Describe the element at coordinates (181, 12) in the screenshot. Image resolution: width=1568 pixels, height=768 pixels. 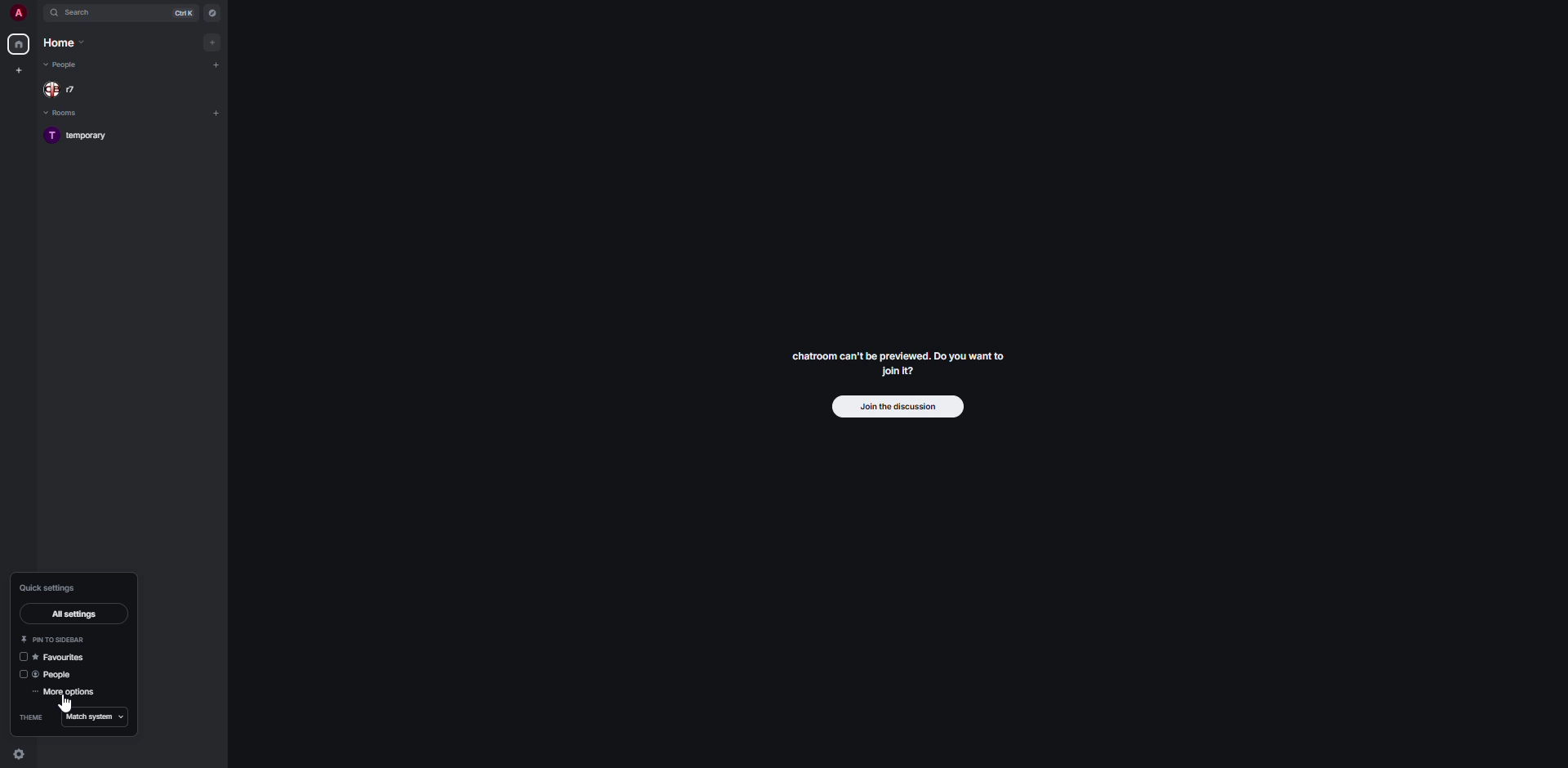
I see `ctrl K` at that location.